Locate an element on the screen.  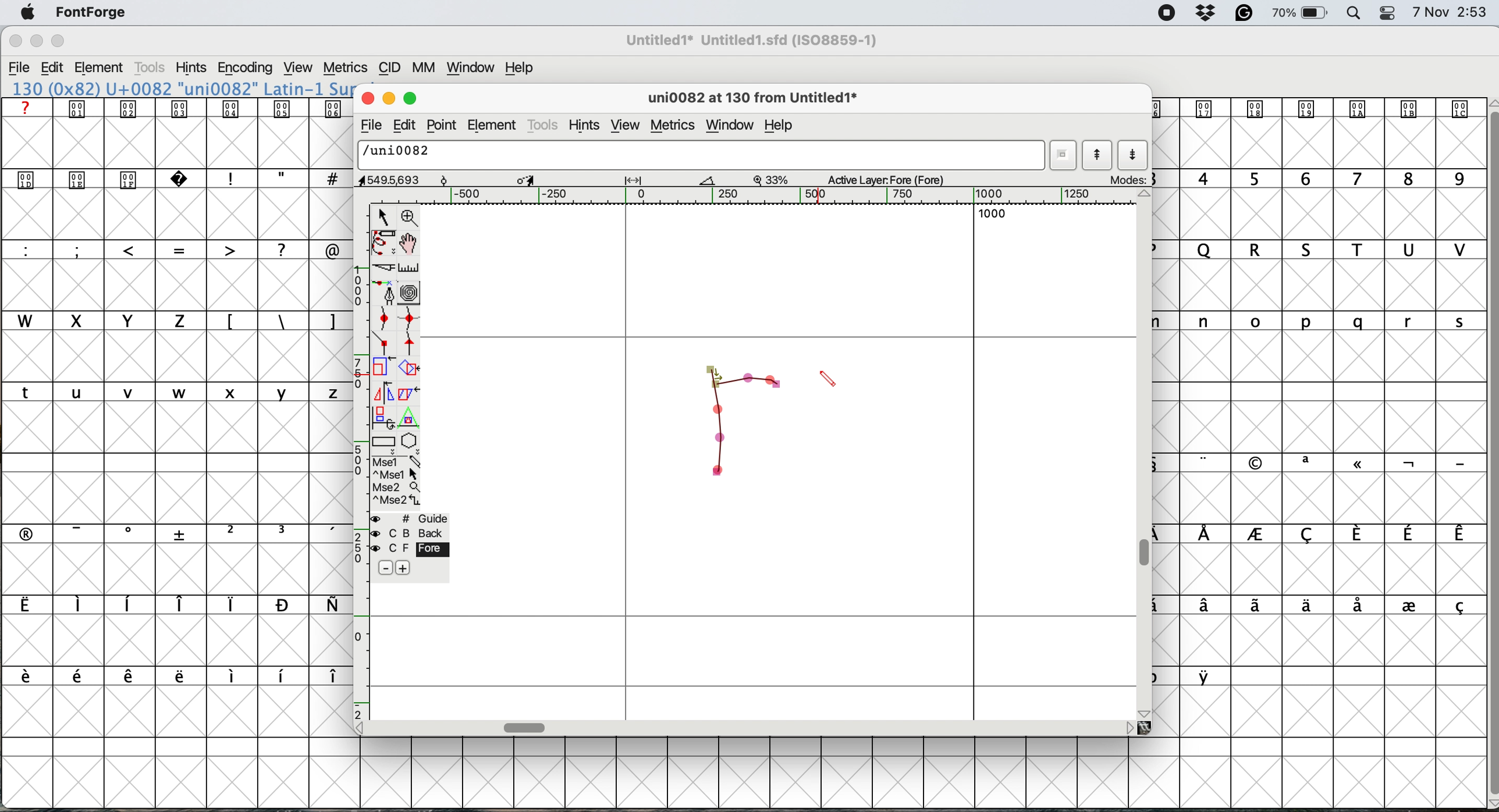
glyph details is located at coordinates (539, 180).